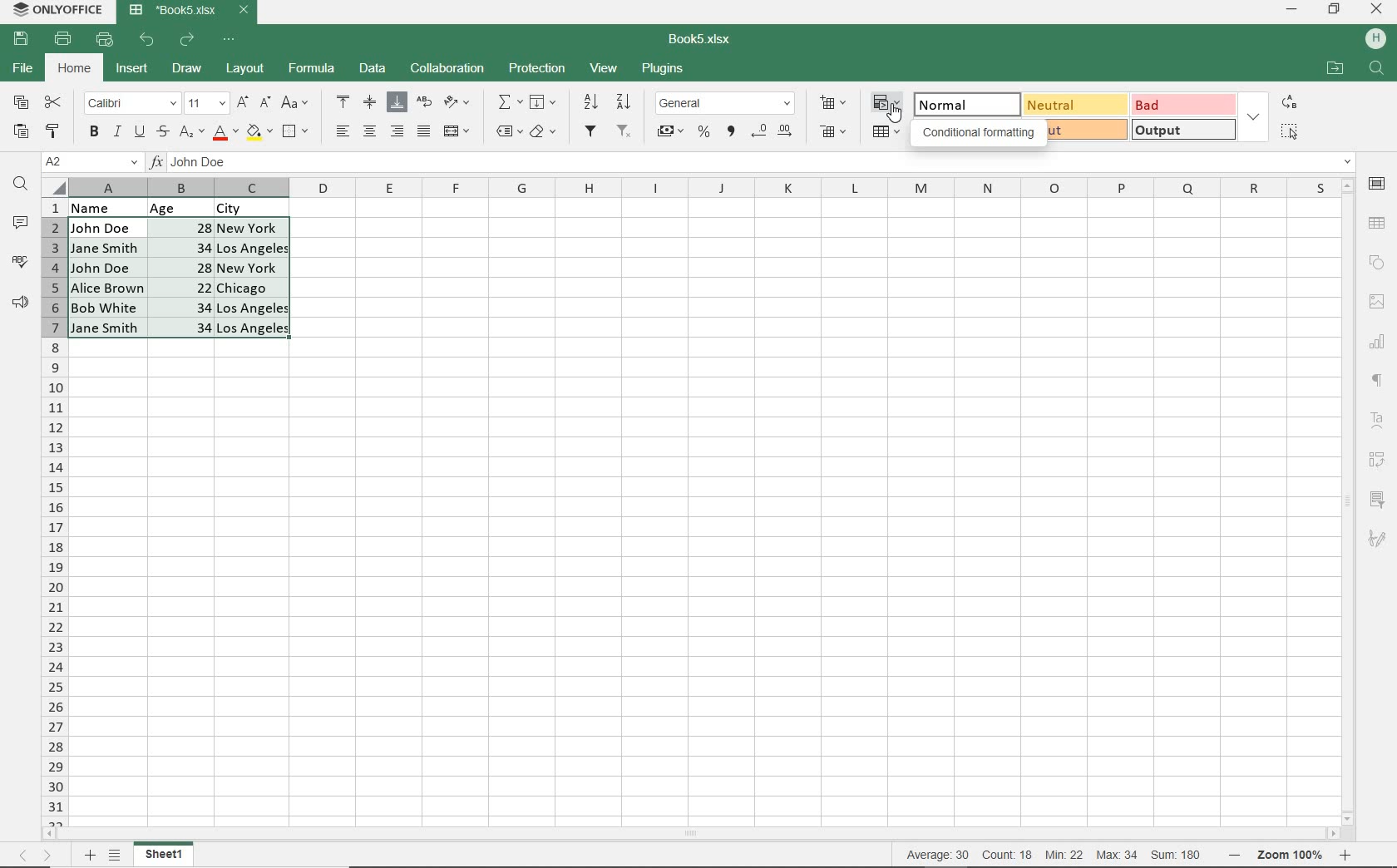  I want to click on HOME, so click(76, 70).